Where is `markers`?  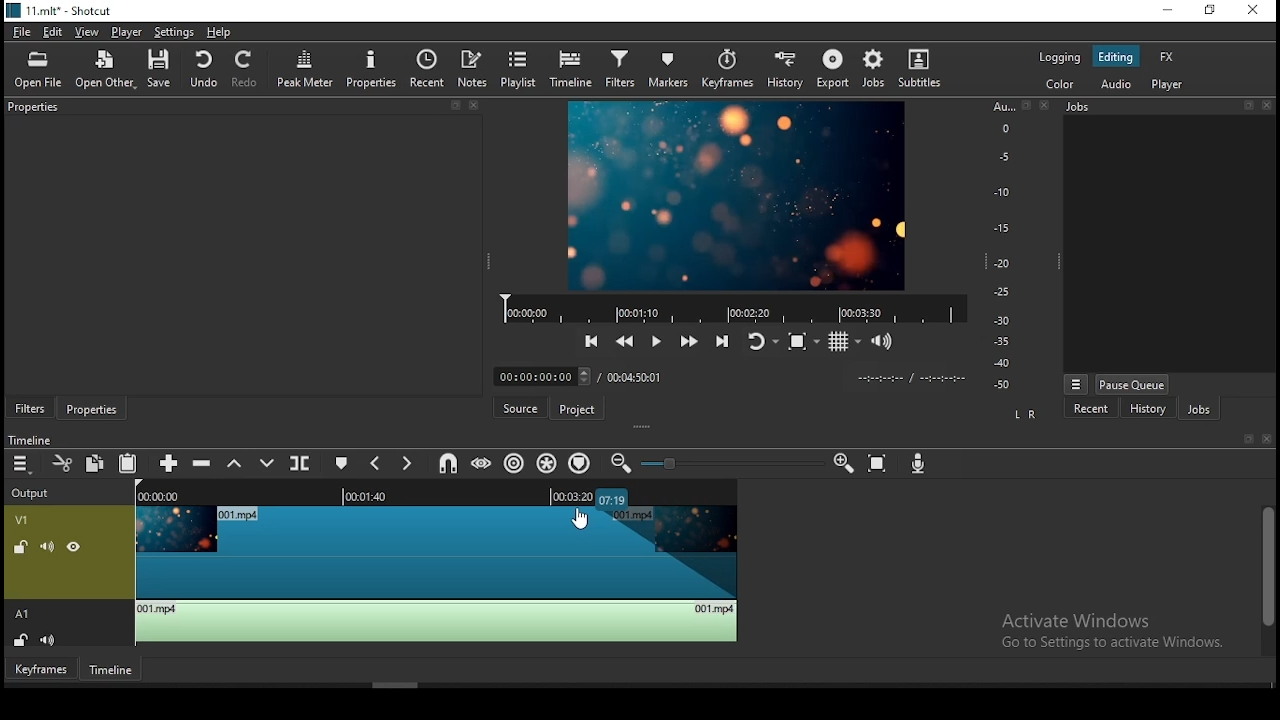 markers is located at coordinates (670, 67).